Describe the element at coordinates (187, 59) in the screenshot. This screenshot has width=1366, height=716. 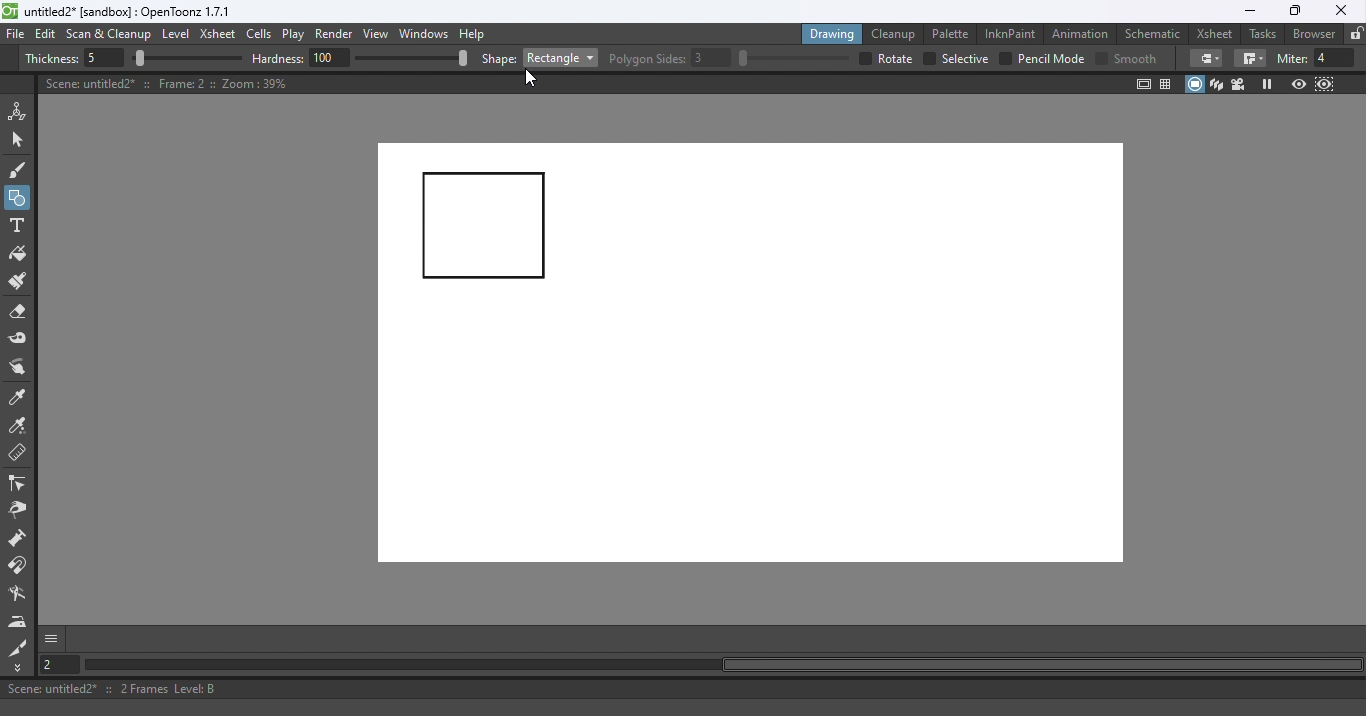
I see `slider` at that location.